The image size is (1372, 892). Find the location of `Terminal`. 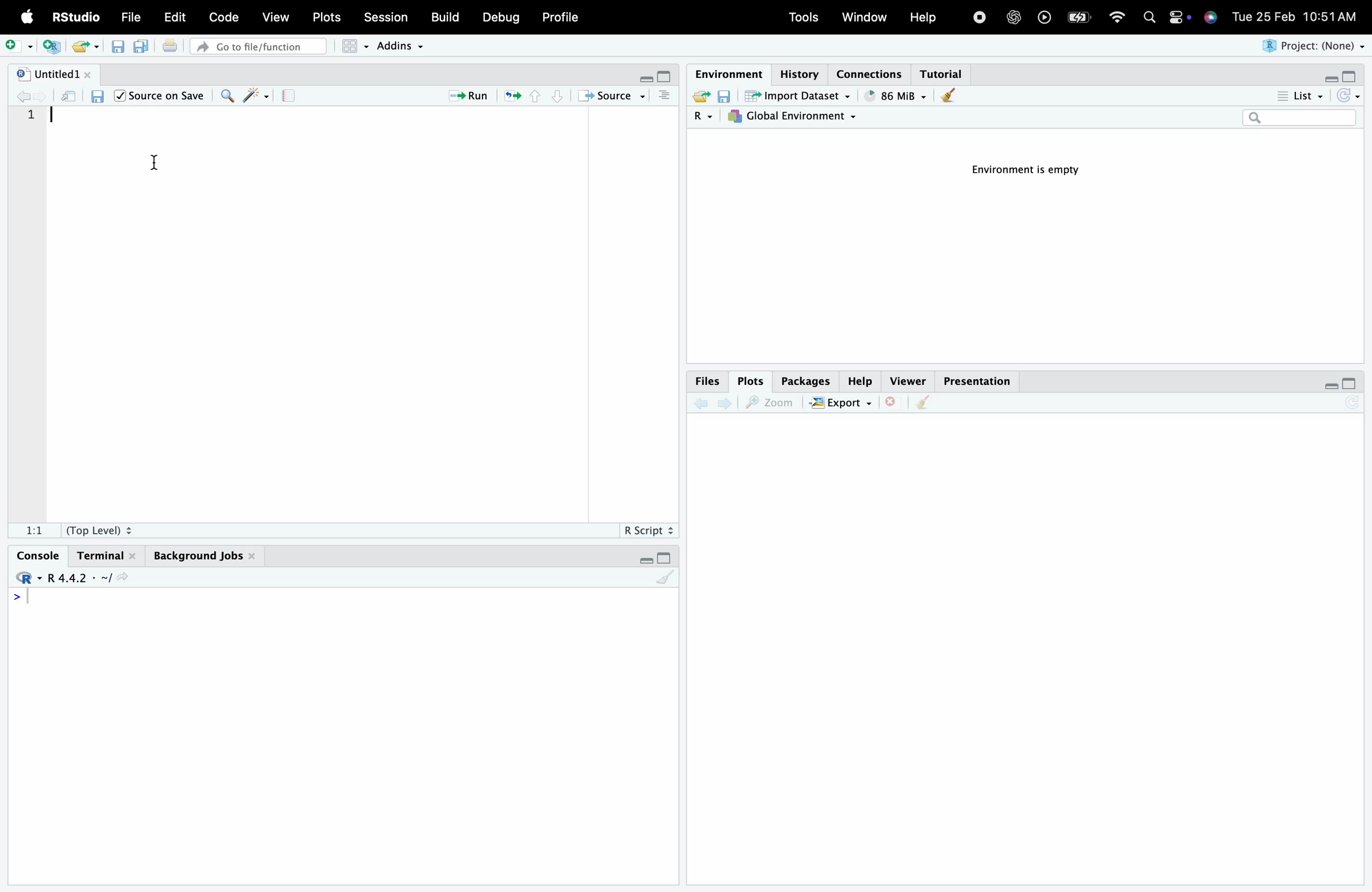

Terminal is located at coordinates (105, 552).